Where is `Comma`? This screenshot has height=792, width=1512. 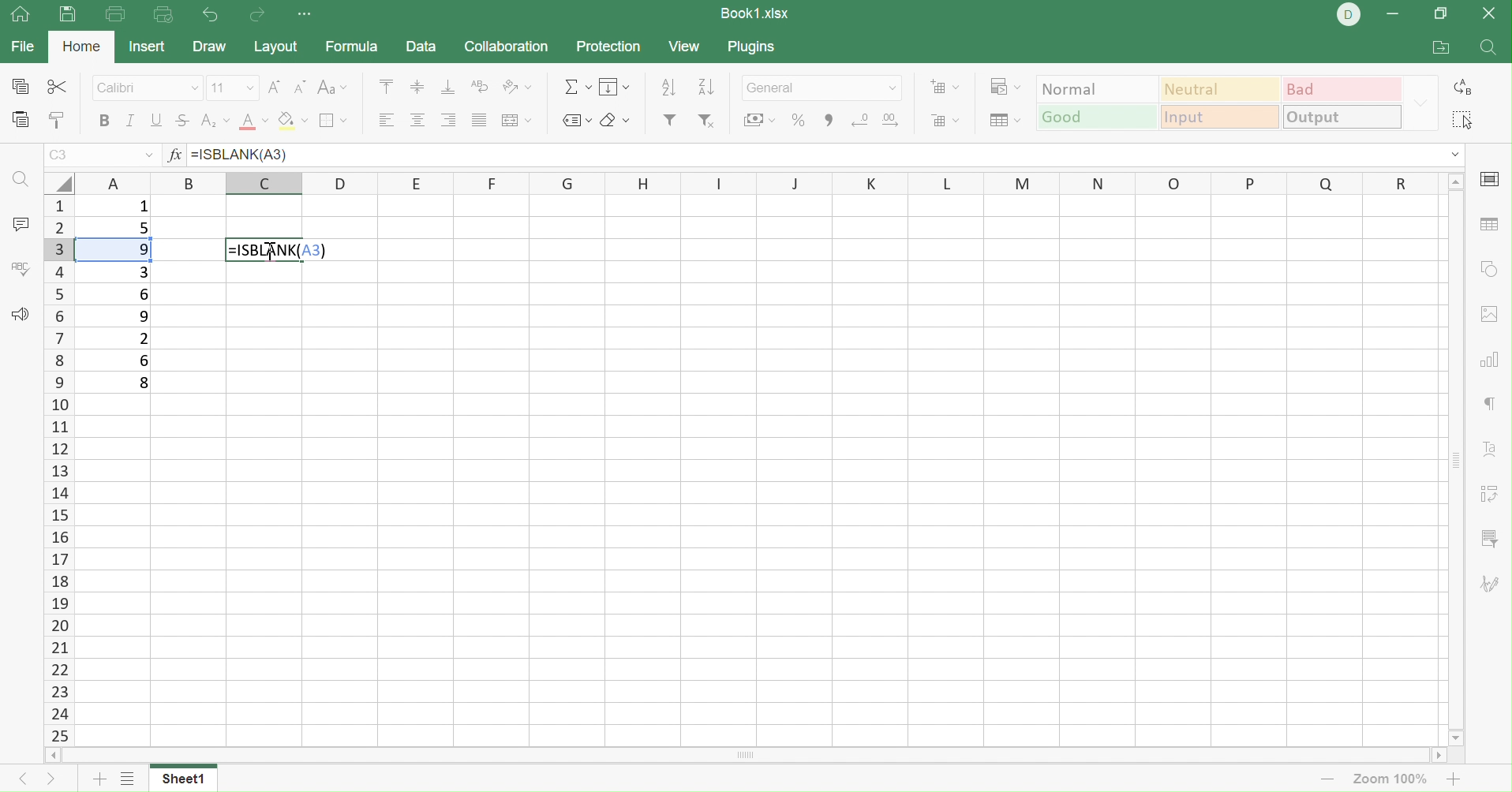 Comma is located at coordinates (827, 120).